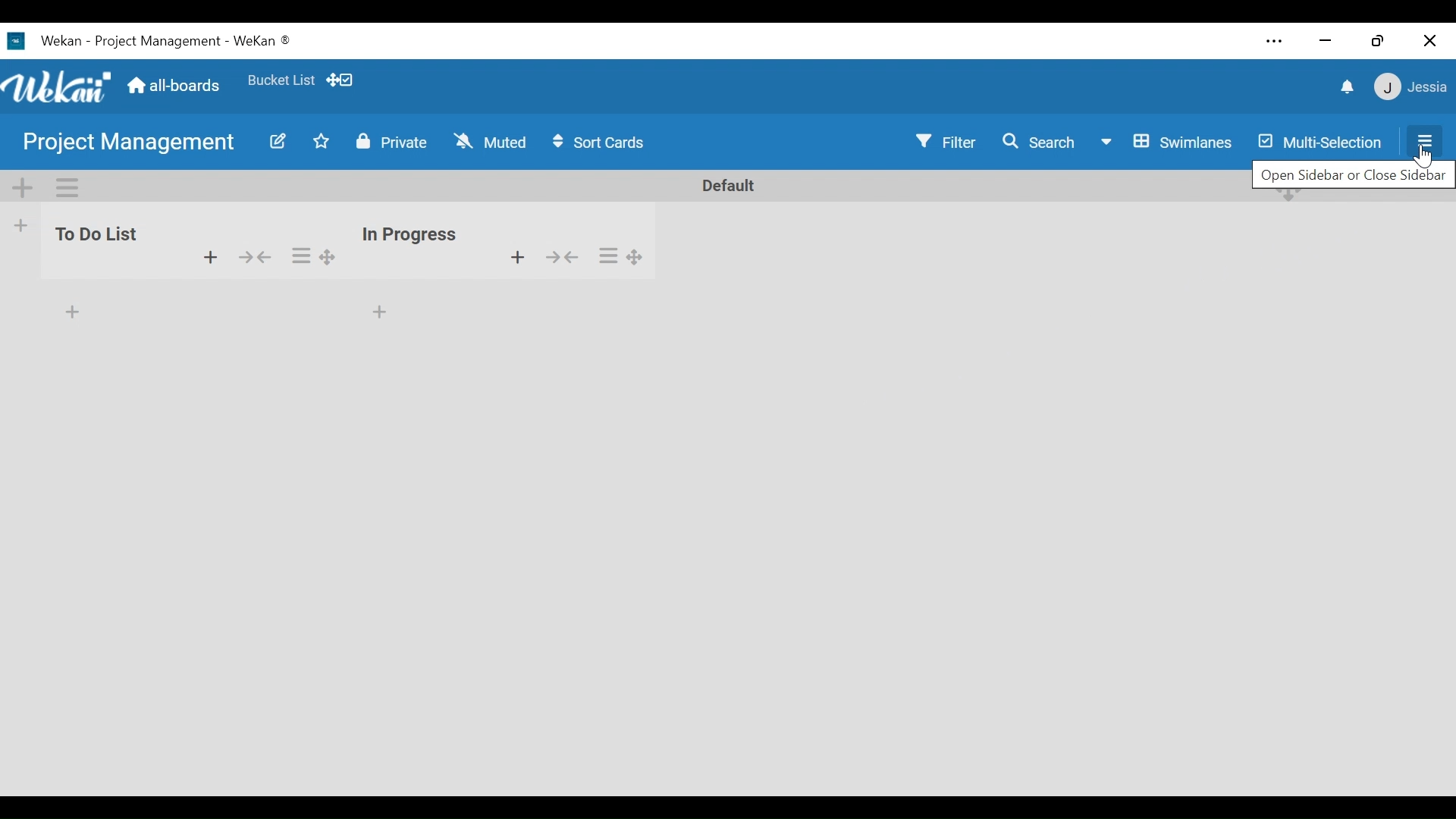  What do you see at coordinates (277, 143) in the screenshot?
I see `Edit` at bounding box center [277, 143].